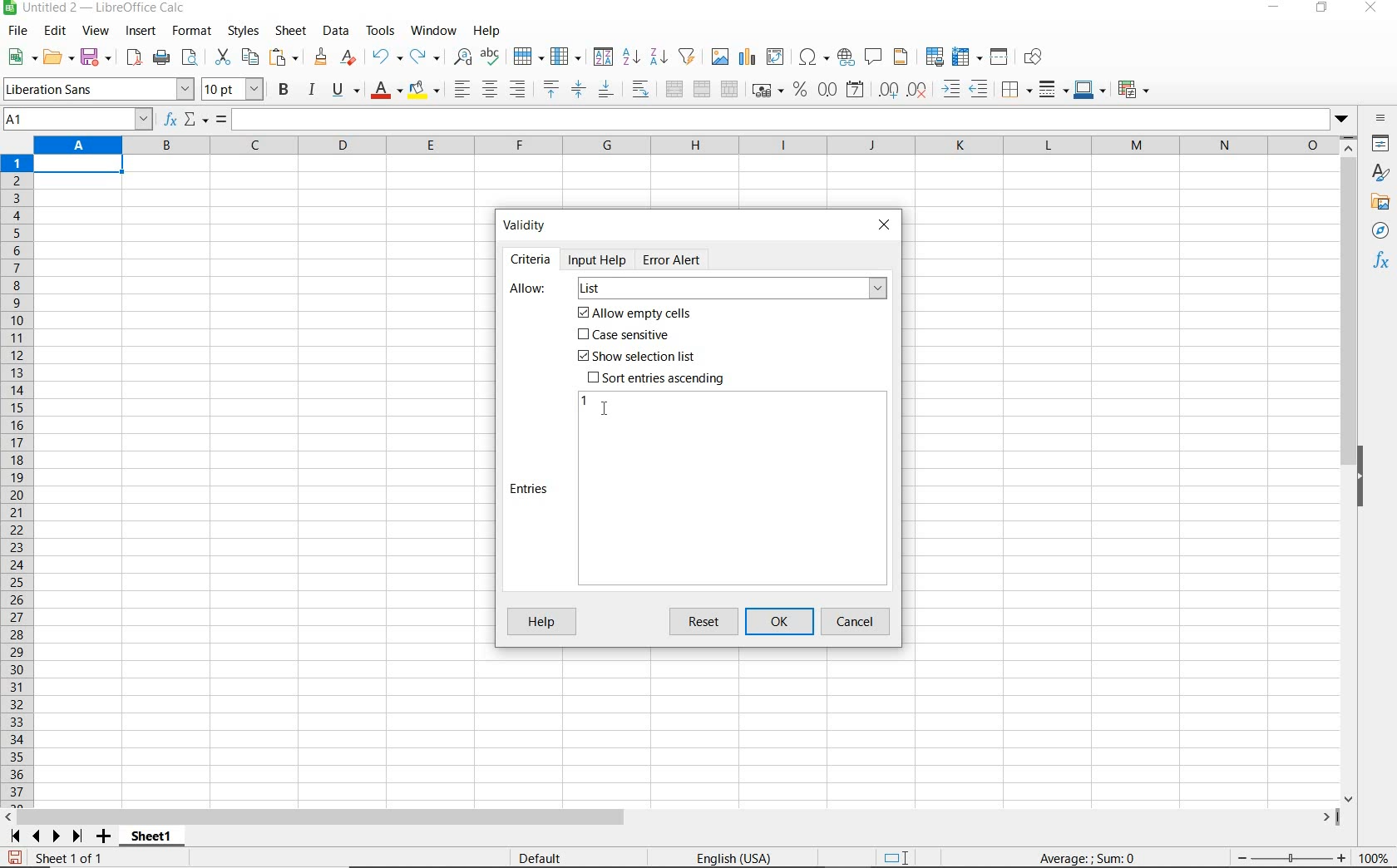 The width and height of the screenshot is (1397, 868). I want to click on number 1, so click(585, 401).